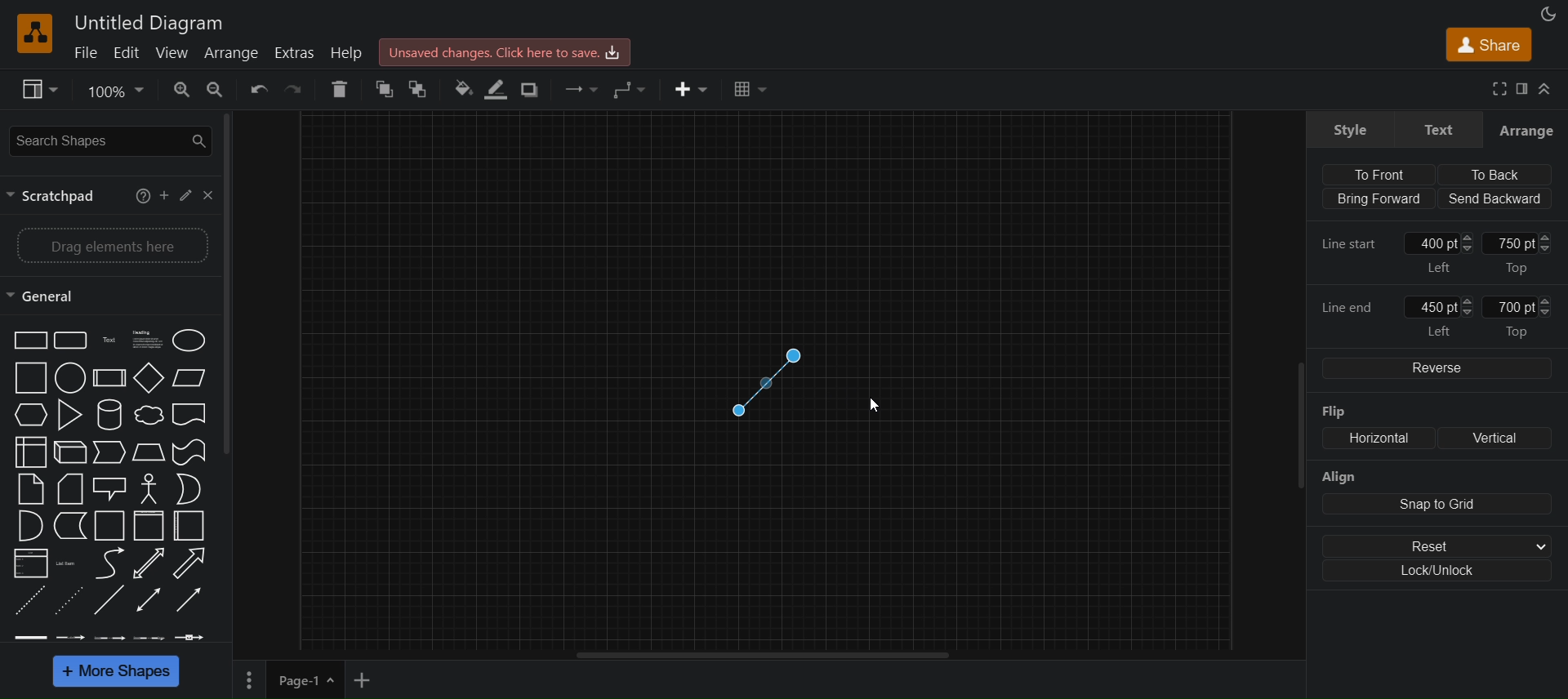  What do you see at coordinates (72, 638) in the screenshot?
I see `connector 2` at bounding box center [72, 638].